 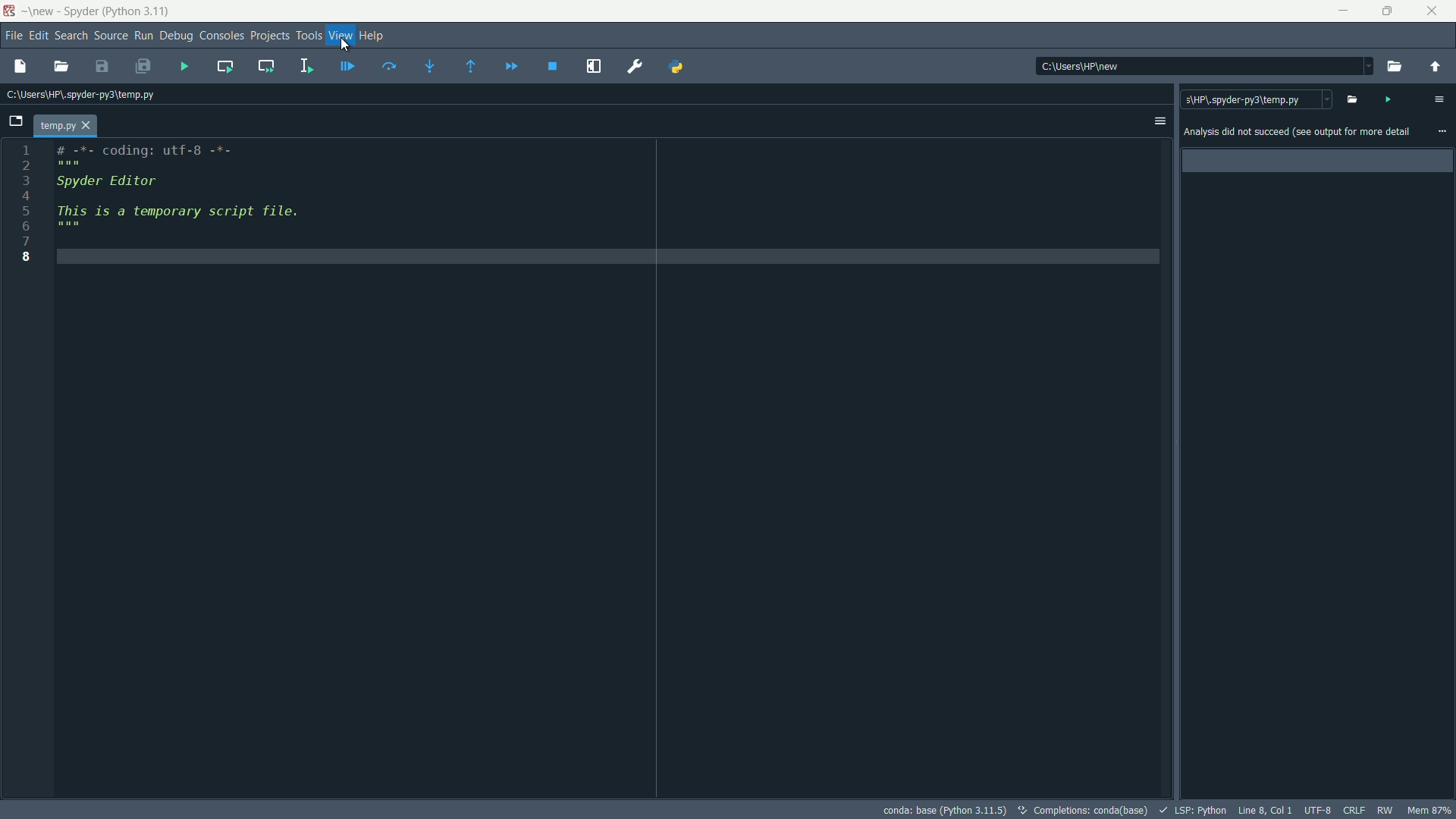 What do you see at coordinates (389, 65) in the screenshot?
I see `run current line` at bounding box center [389, 65].